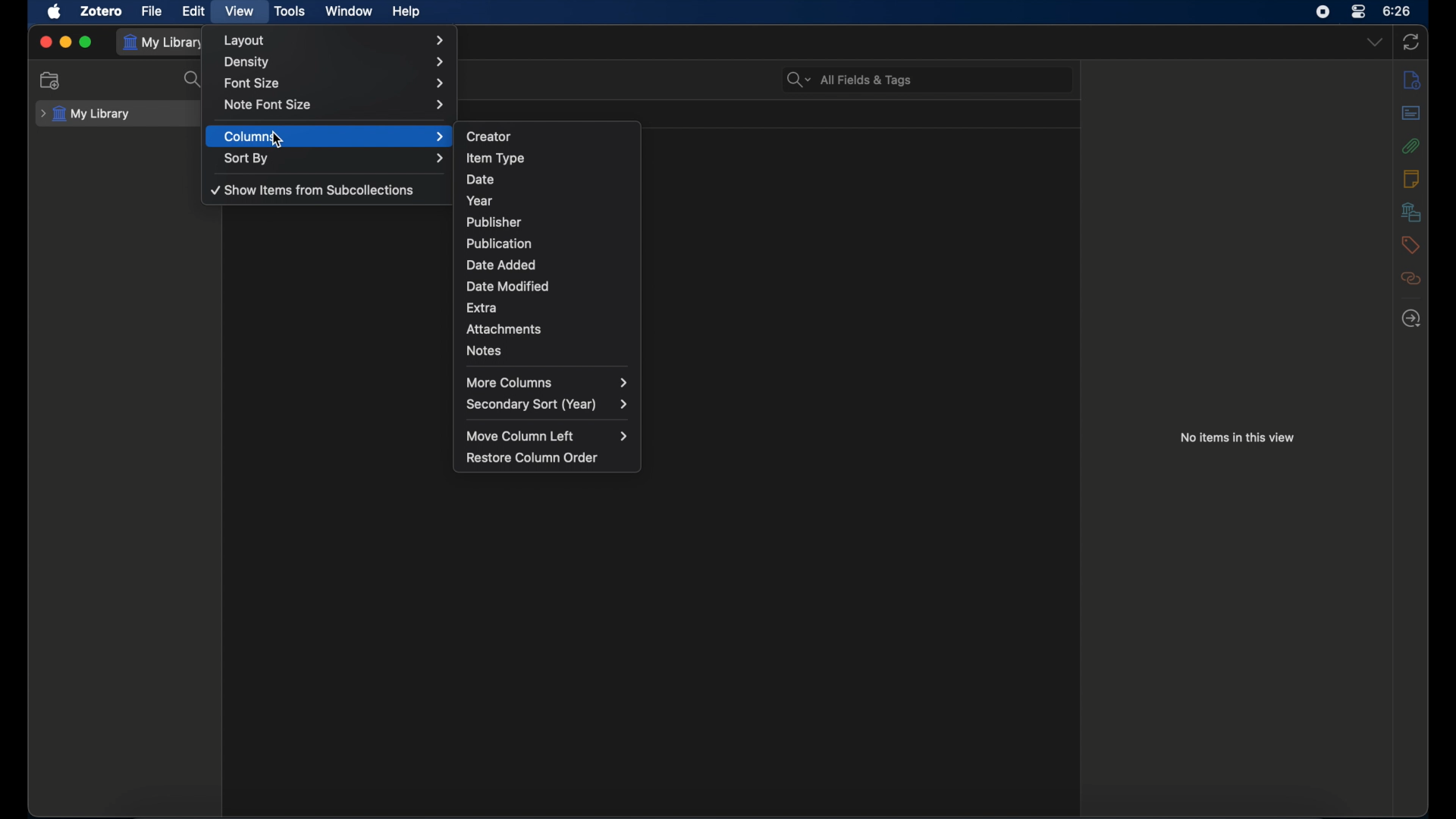 This screenshot has height=819, width=1456. What do you see at coordinates (49, 81) in the screenshot?
I see `new collection` at bounding box center [49, 81].